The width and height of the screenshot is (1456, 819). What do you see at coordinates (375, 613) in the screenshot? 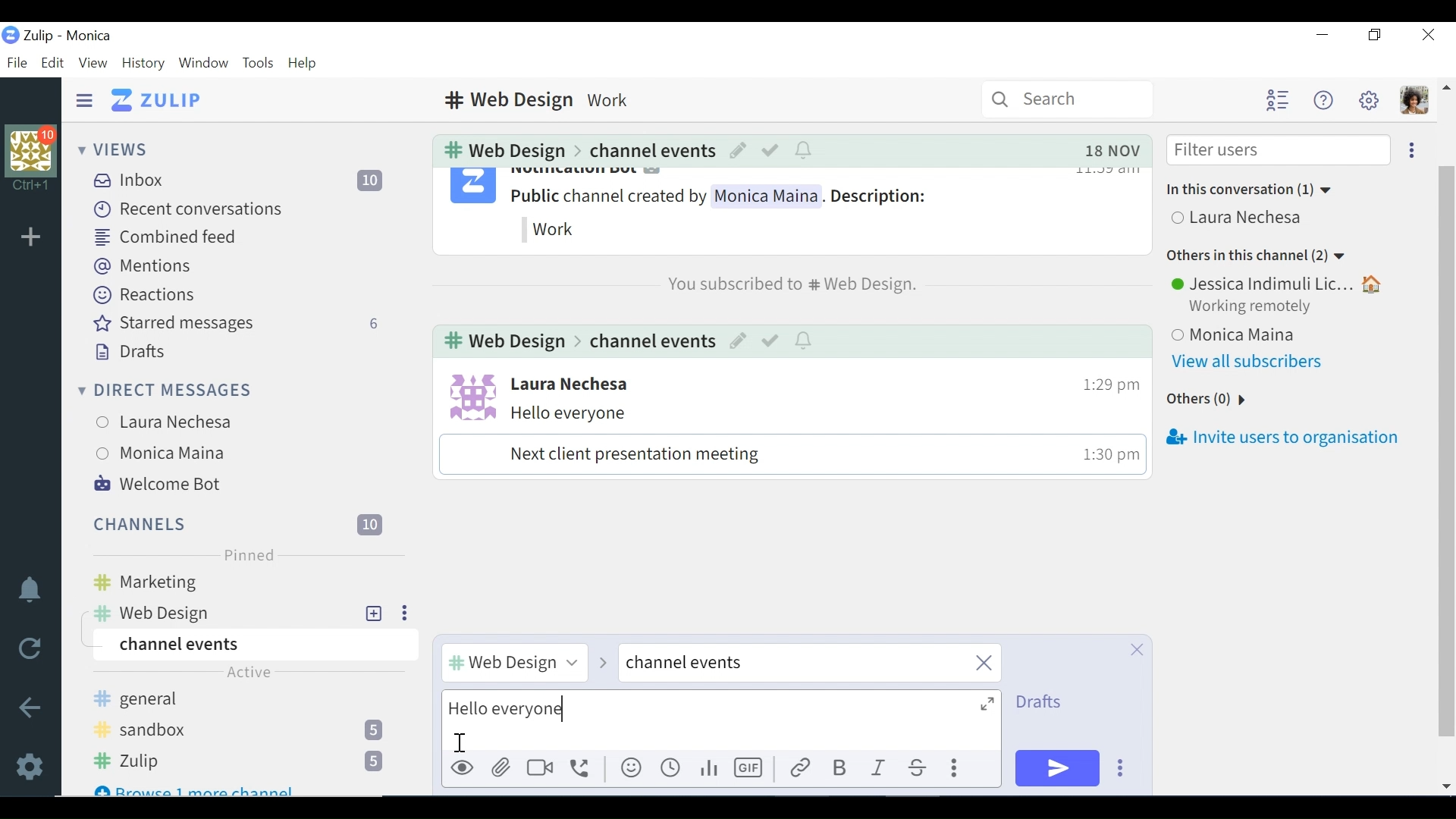
I see `add New Topic` at bounding box center [375, 613].